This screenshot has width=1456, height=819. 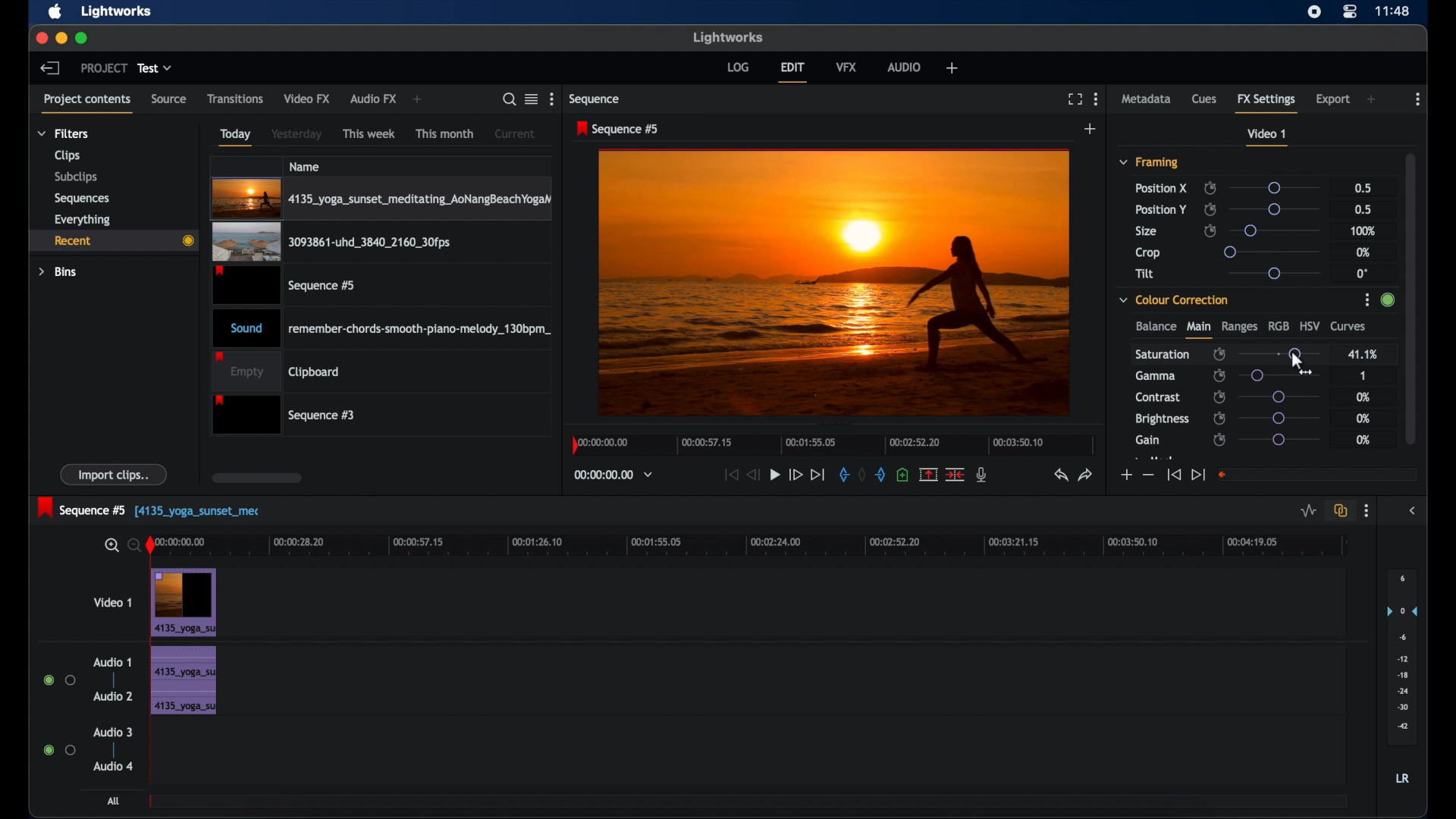 What do you see at coordinates (618, 130) in the screenshot?
I see `sequence 5` at bounding box center [618, 130].